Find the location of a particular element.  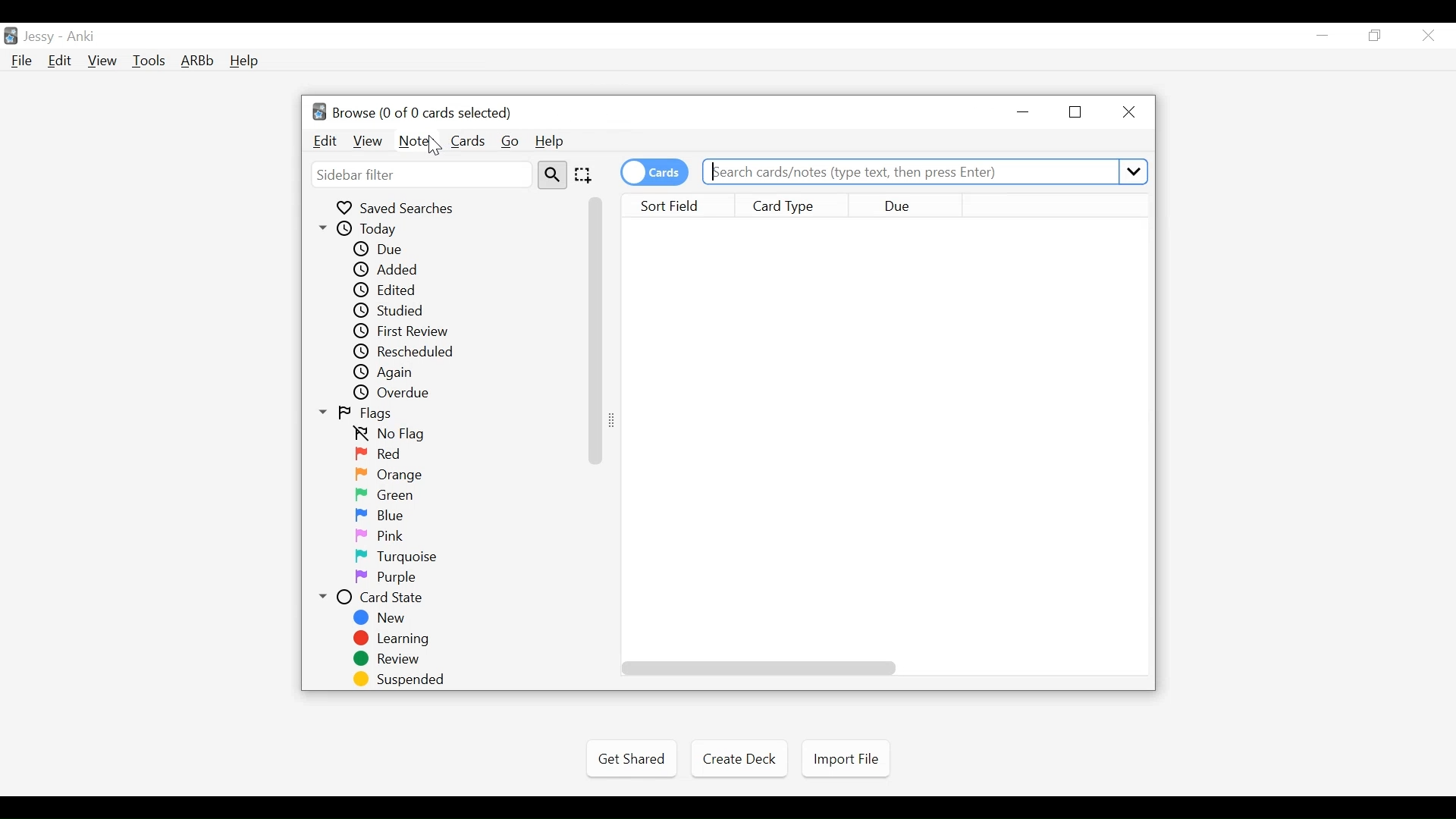

New is located at coordinates (381, 618).